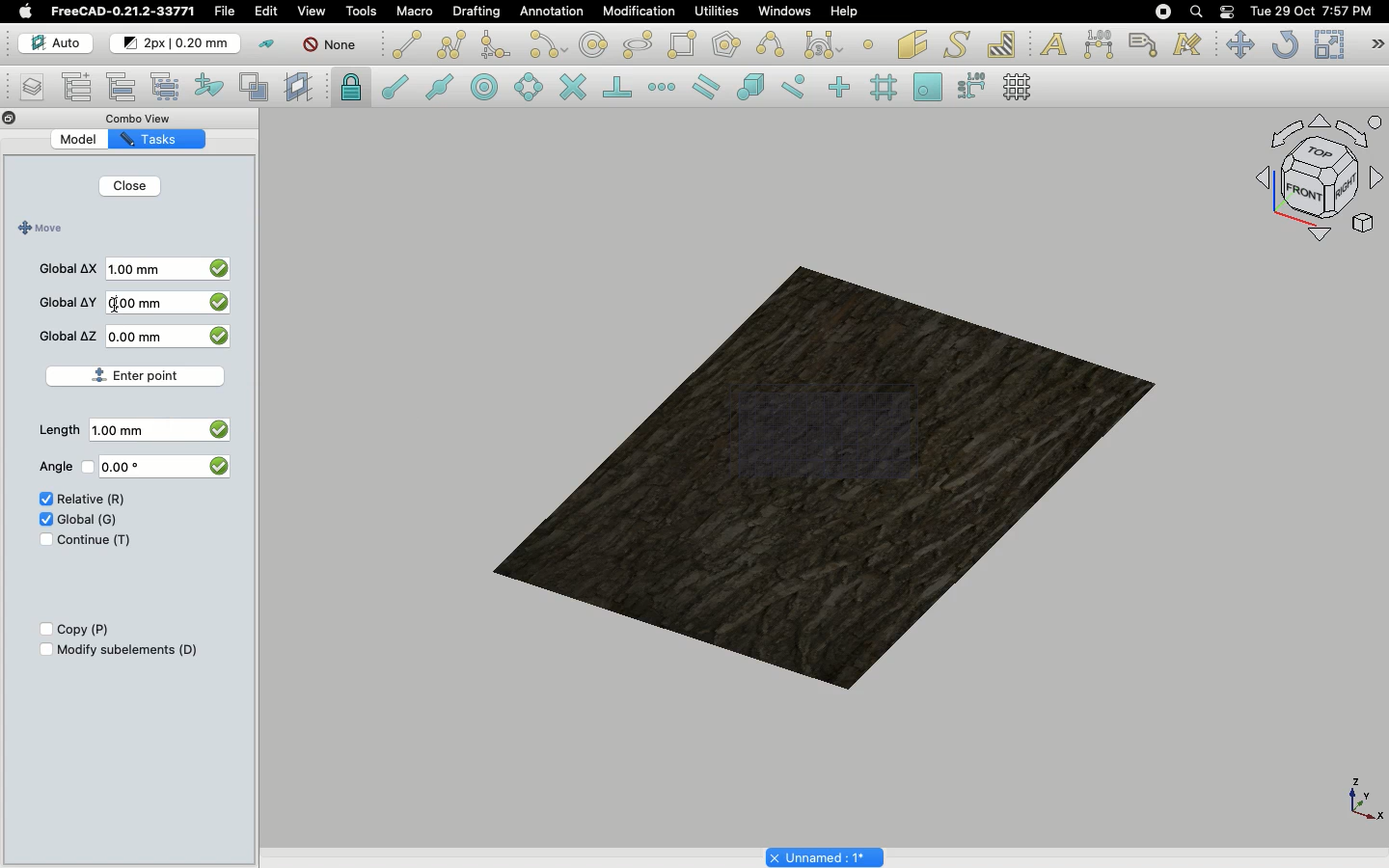 Image resolution: width=1389 pixels, height=868 pixels. I want to click on Arc tools, so click(547, 46).